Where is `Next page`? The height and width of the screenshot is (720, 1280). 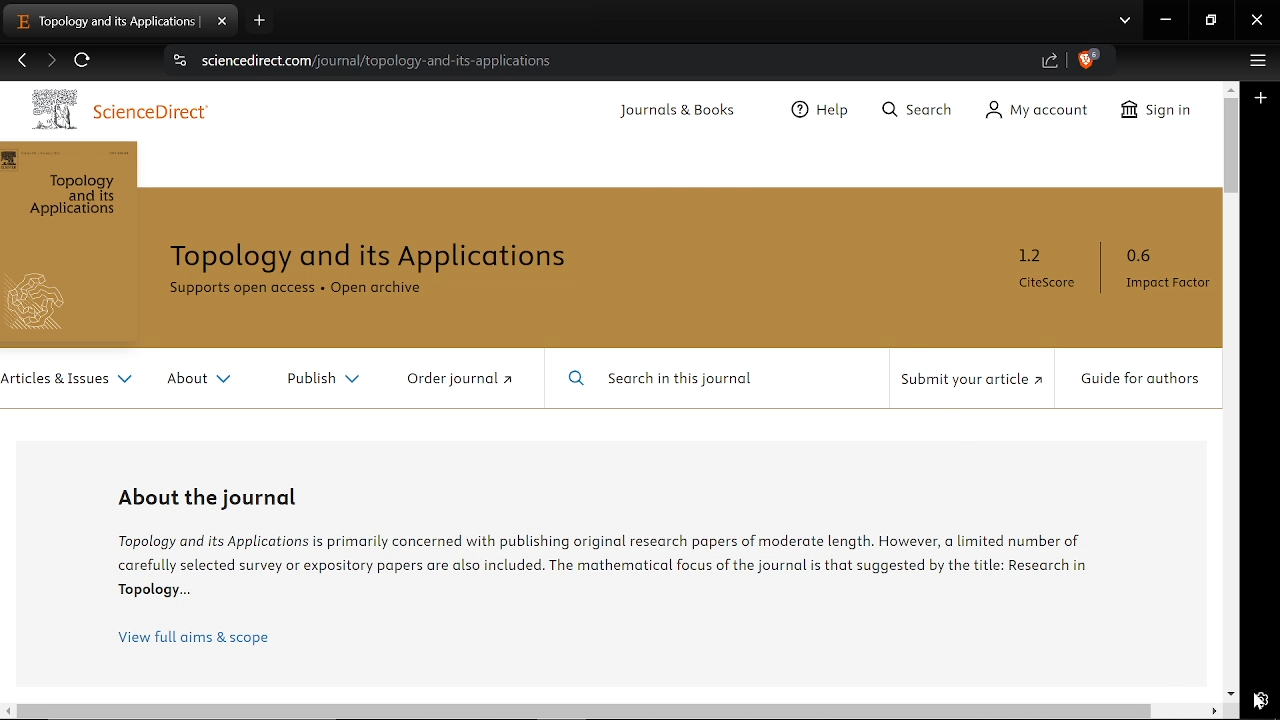
Next page is located at coordinates (51, 62).